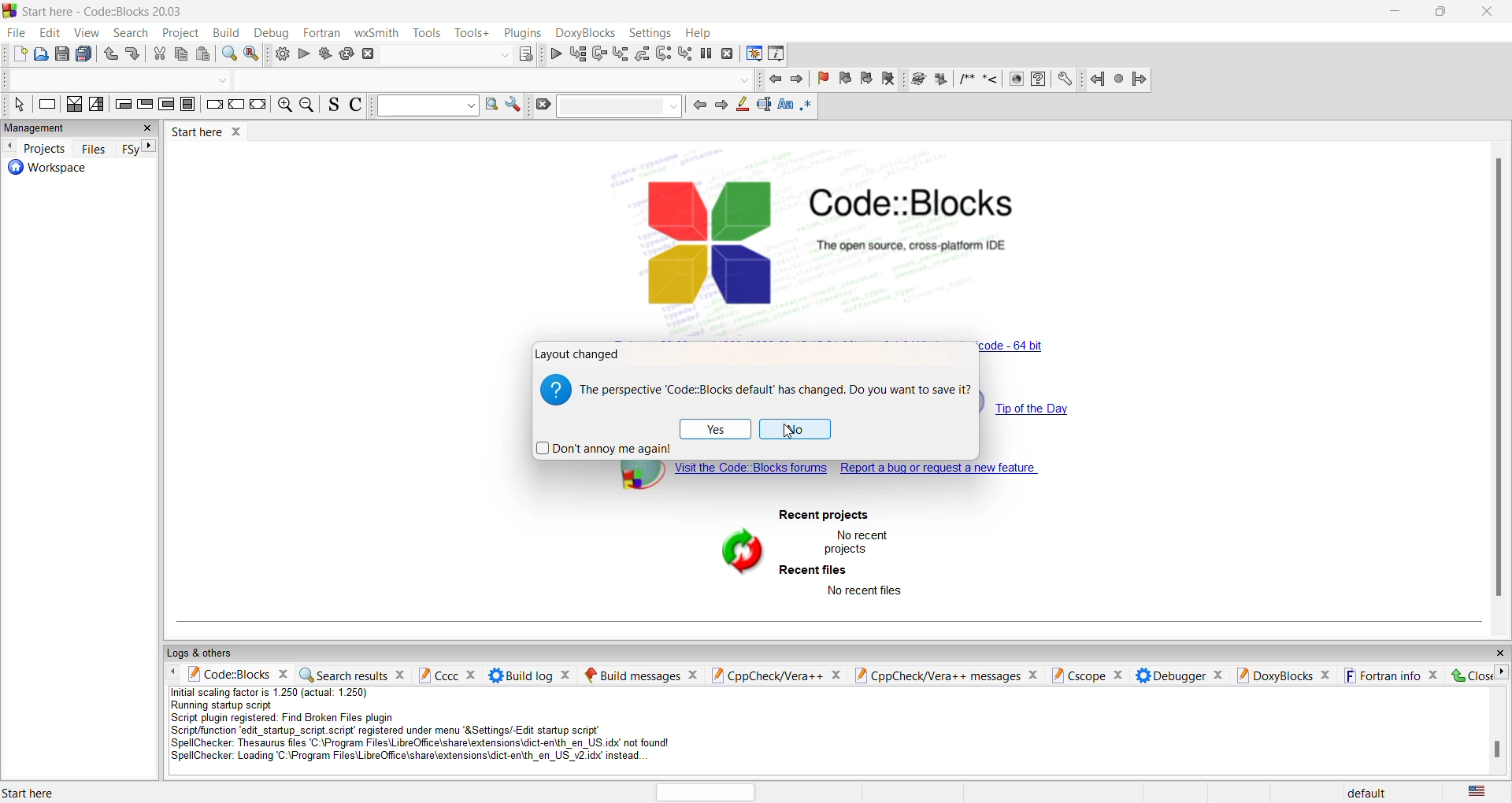  What do you see at coordinates (716, 427) in the screenshot?
I see `Yes` at bounding box center [716, 427].